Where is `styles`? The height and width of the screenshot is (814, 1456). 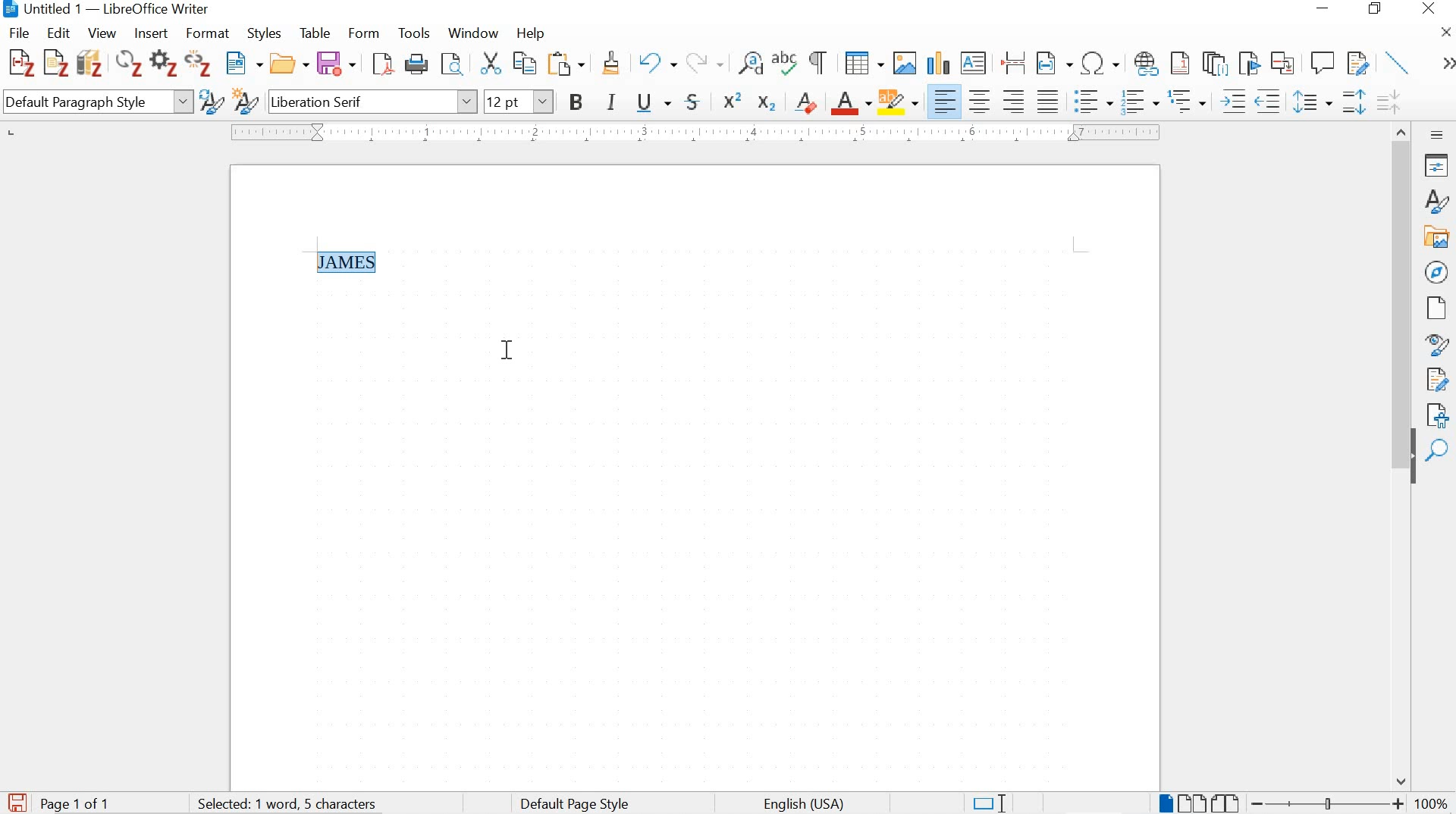 styles is located at coordinates (1435, 201).